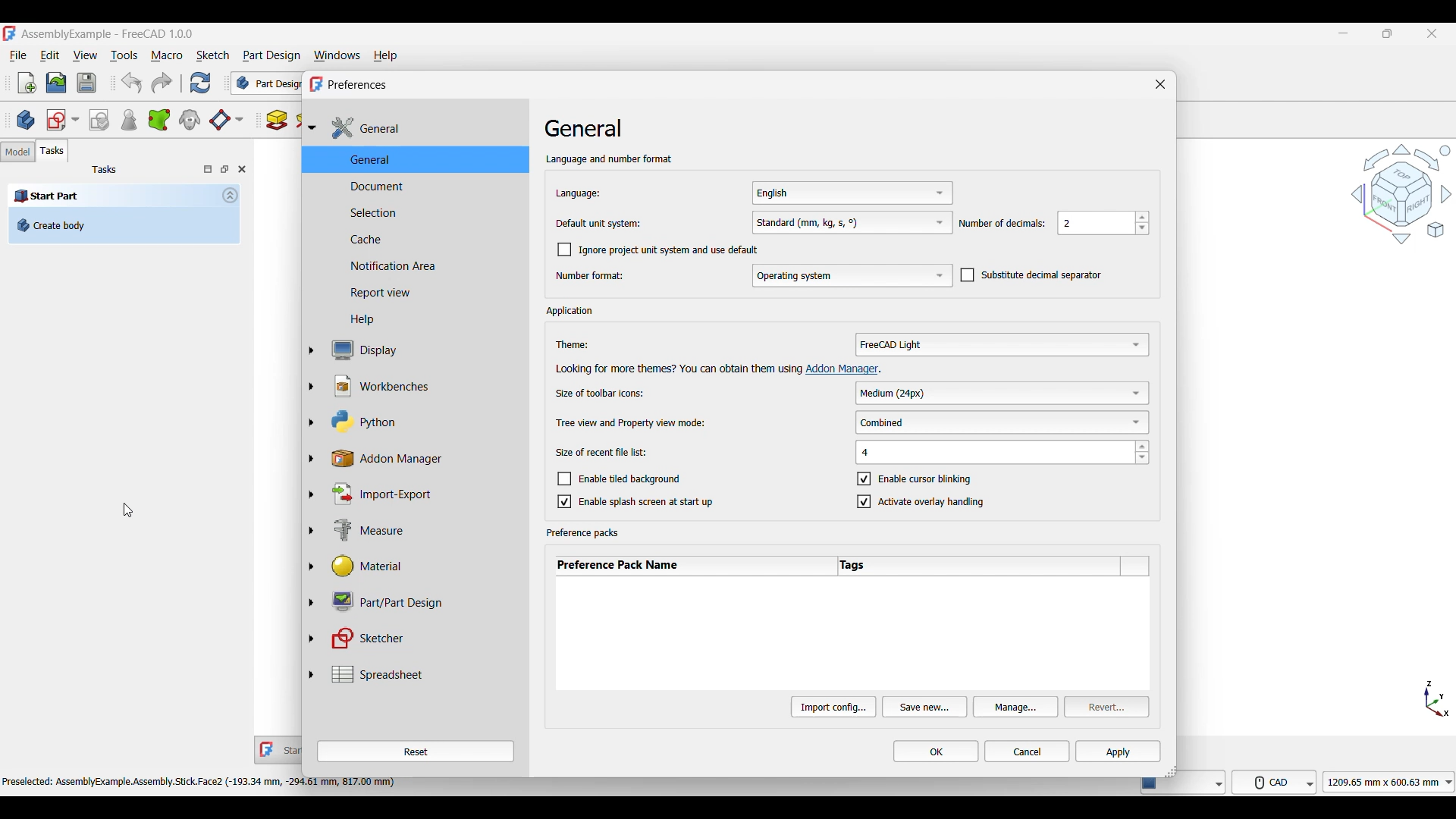  I want to click on Preference pack name, so click(693, 566).